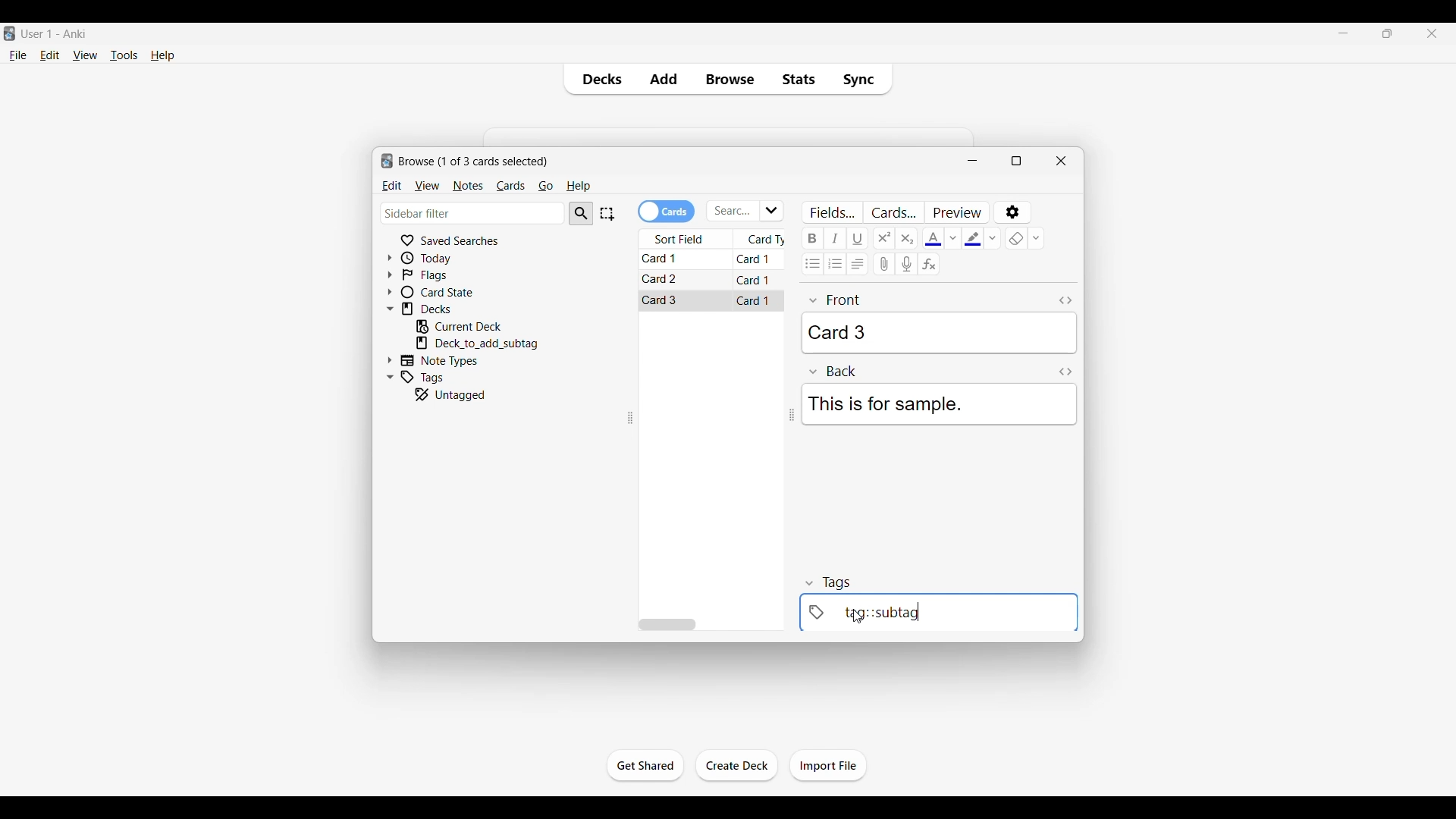 Image resolution: width=1456 pixels, height=819 pixels. Describe the element at coordinates (1432, 33) in the screenshot. I see `Close interface` at that location.